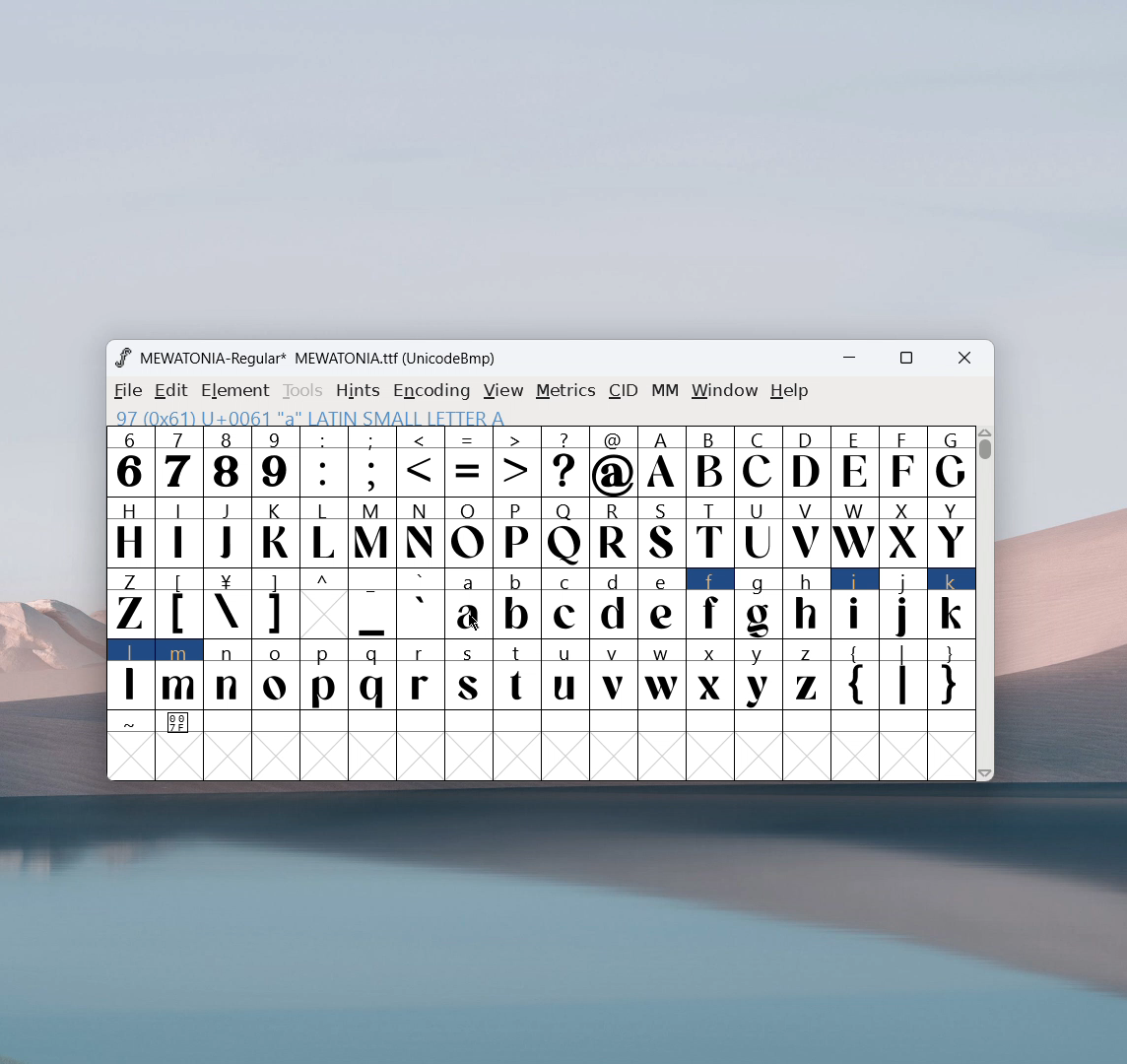 The width and height of the screenshot is (1127, 1064). I want to click on =, so click(469, 462).